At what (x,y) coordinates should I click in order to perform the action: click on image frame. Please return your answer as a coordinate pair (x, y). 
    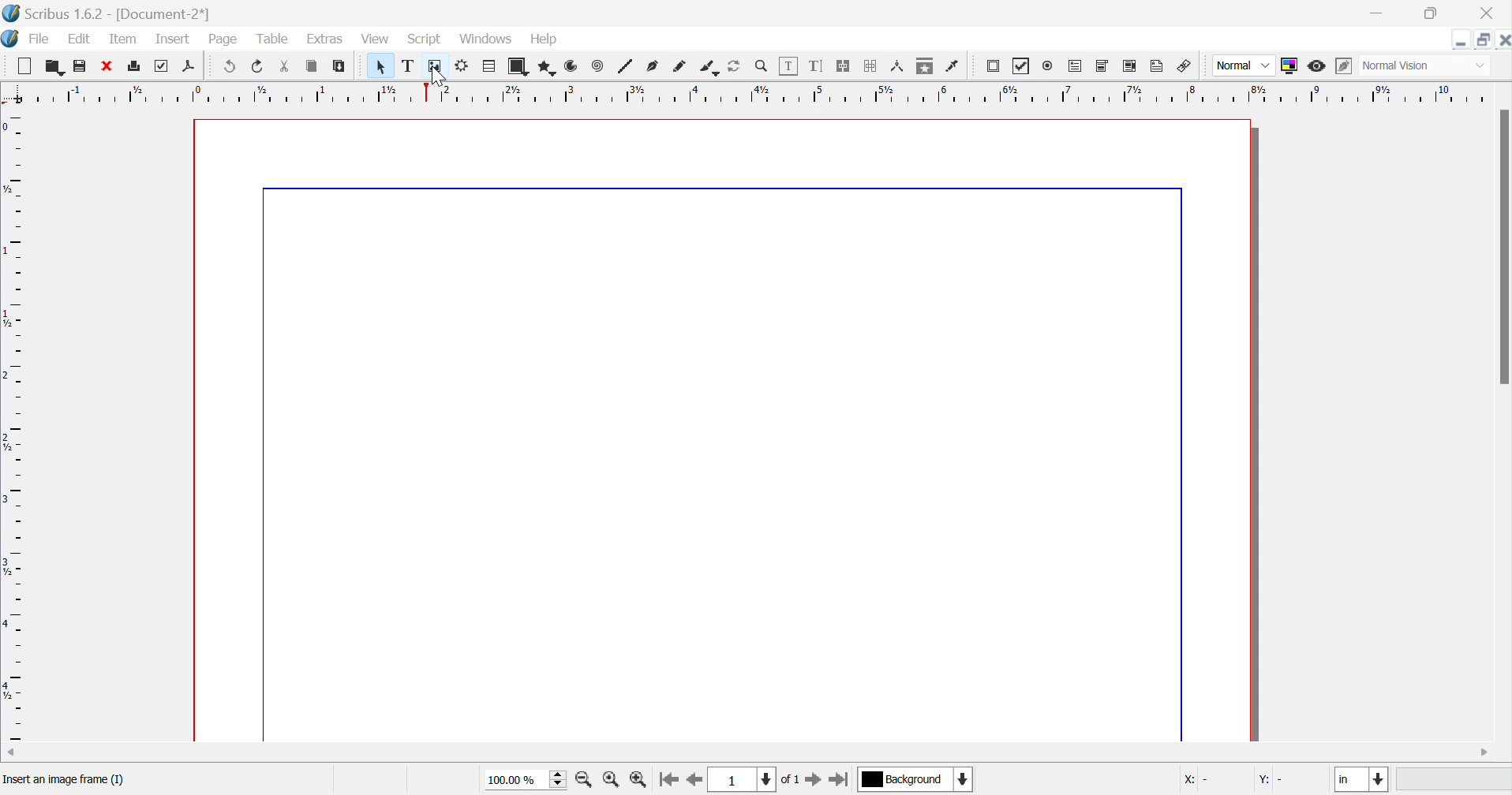
    Looking at the image, I should click on (436, 66).